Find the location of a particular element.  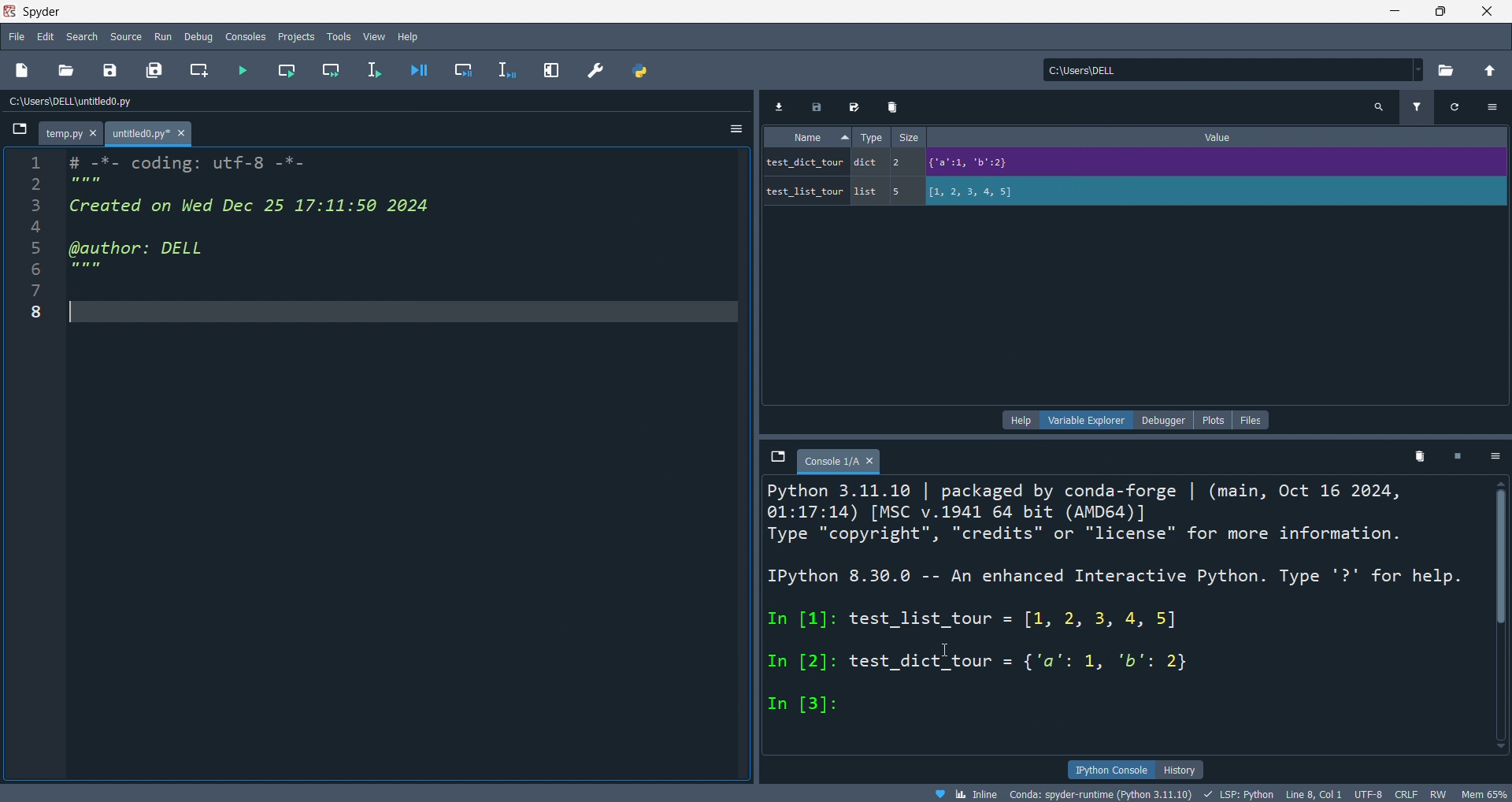

tools is located at coordinates (335, 38).